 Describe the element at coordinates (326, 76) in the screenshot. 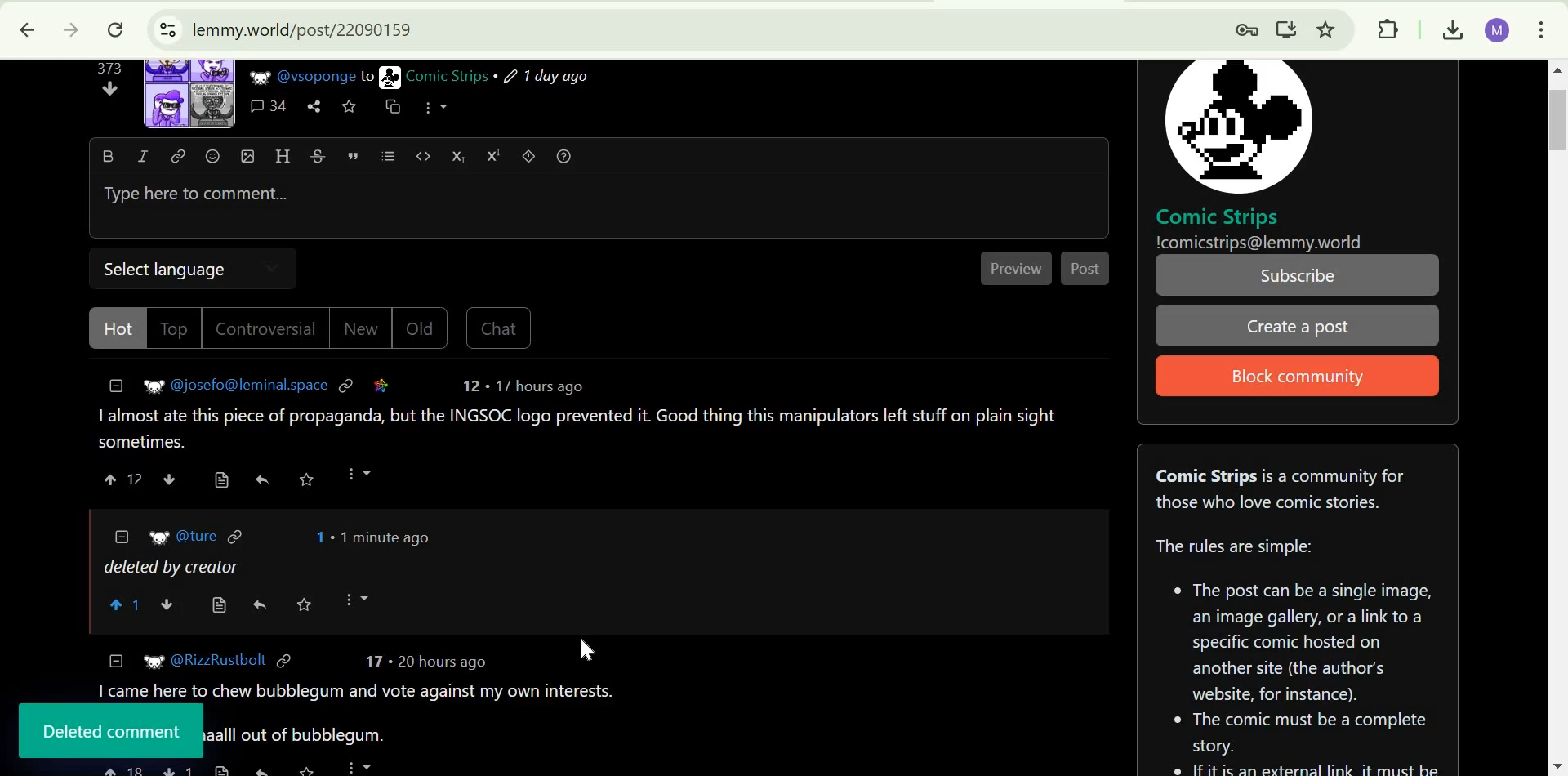

I see `@vsoponge to` at that location.